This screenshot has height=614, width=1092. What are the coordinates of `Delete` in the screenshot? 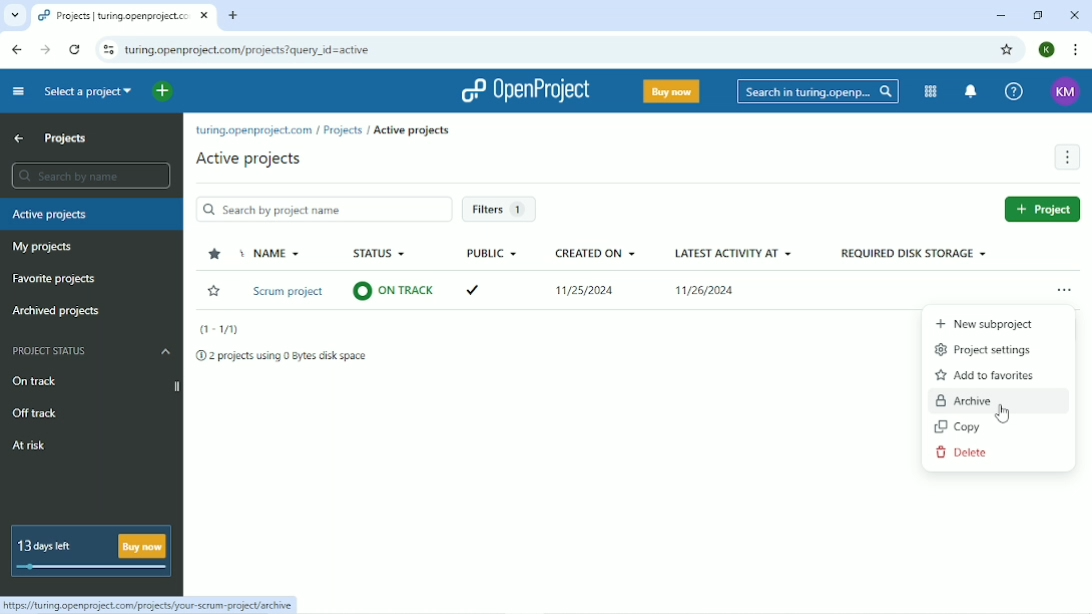 It's located at (964, 451).